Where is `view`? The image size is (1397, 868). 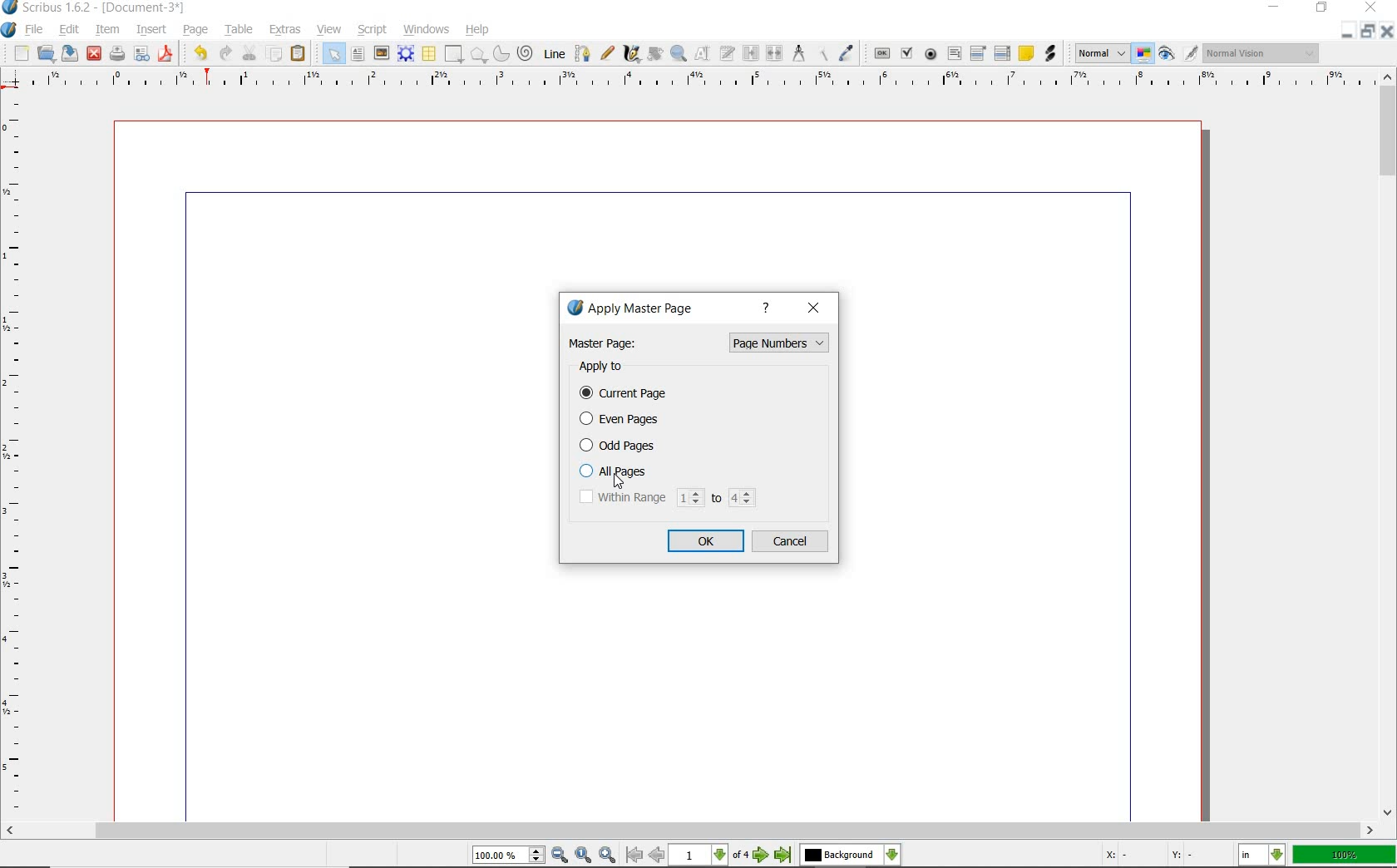
view is located at coordinates (329, 29).